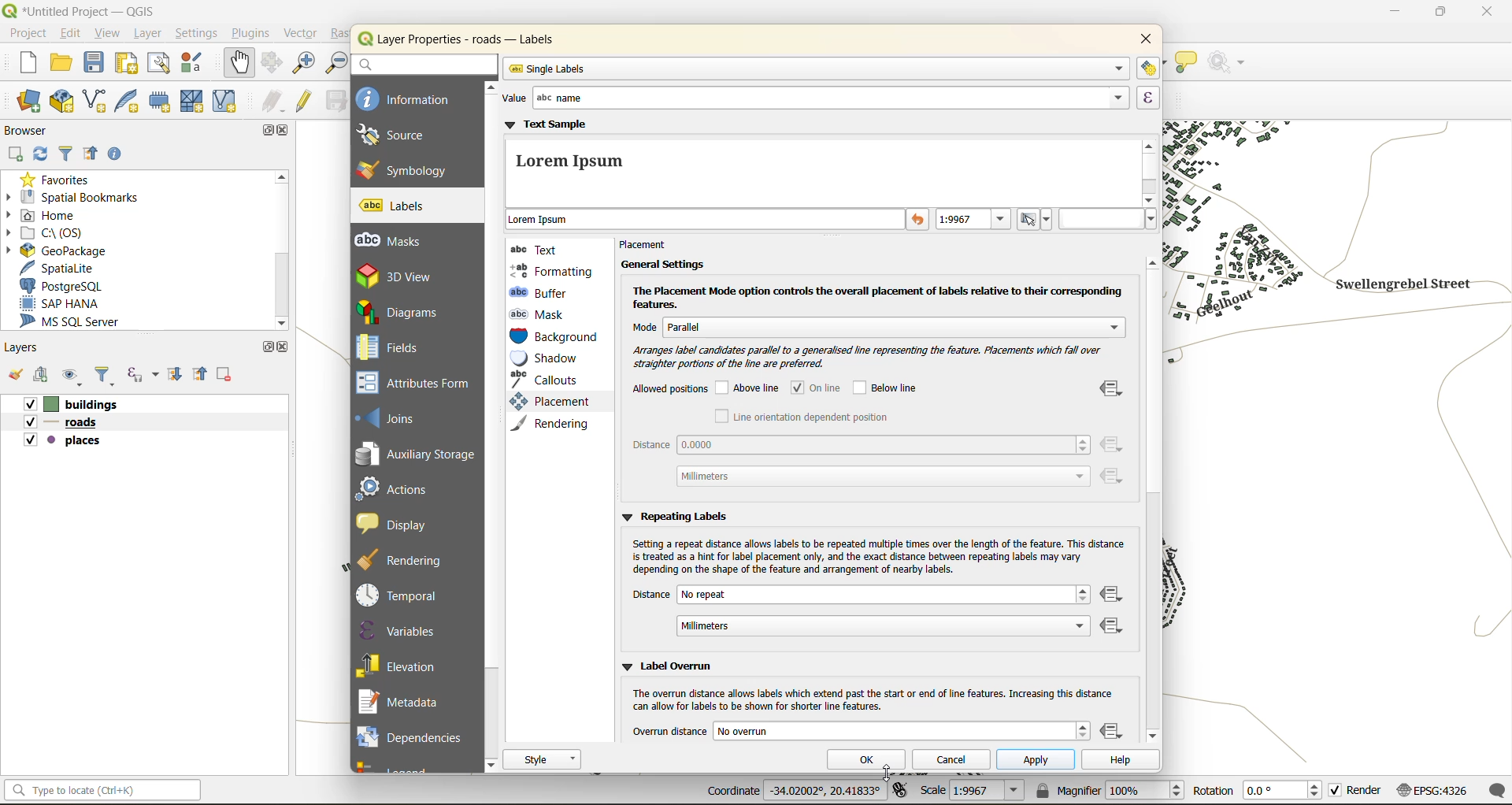 The height and width of the screenshot is (805, 1512). Describe the element at coordinates (400, 630) in the screenshot. I see `variables` at that location.